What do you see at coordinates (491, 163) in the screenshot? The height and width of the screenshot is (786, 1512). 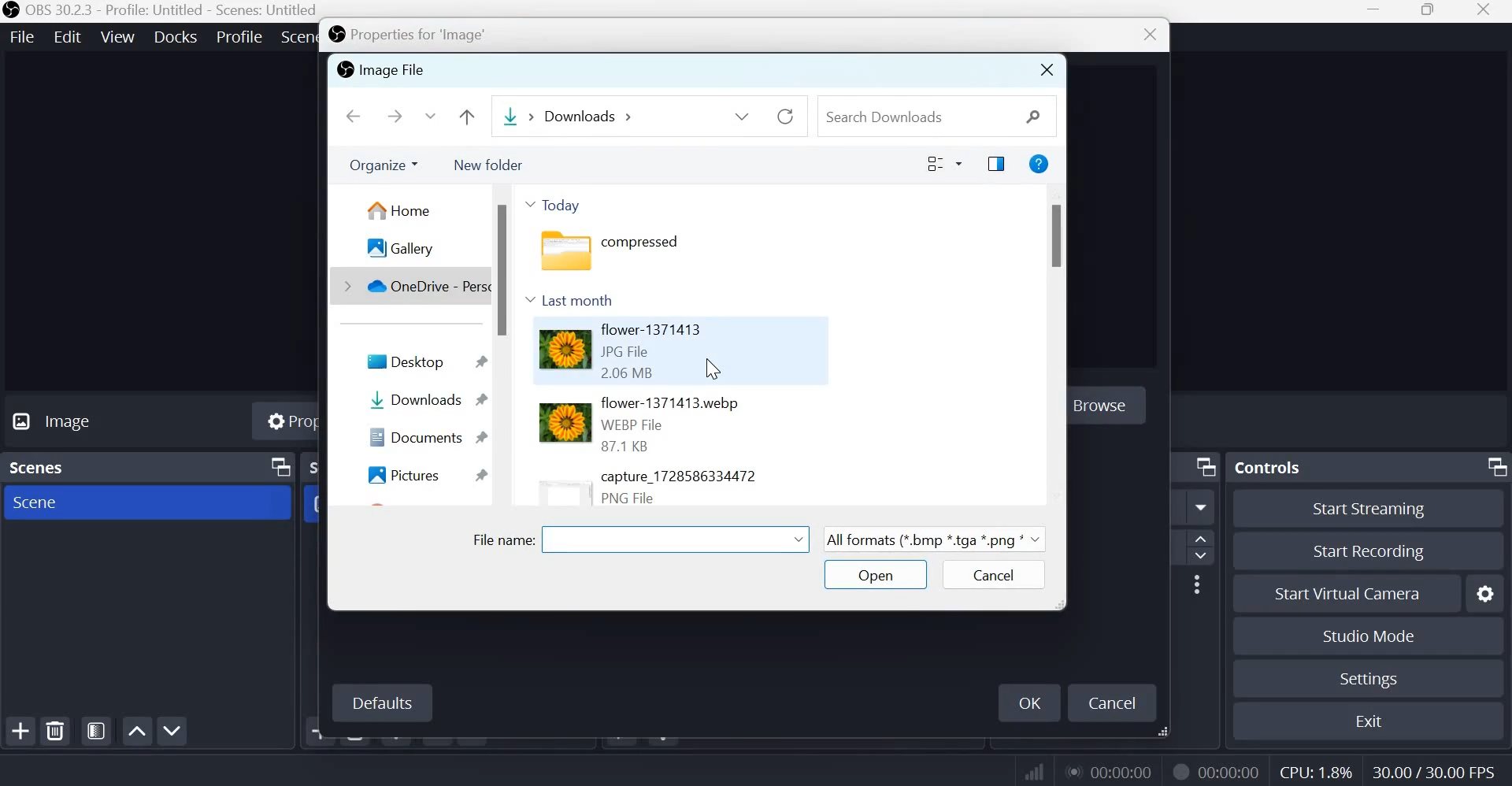 I see `New folder` at bounding box center [491, 163].